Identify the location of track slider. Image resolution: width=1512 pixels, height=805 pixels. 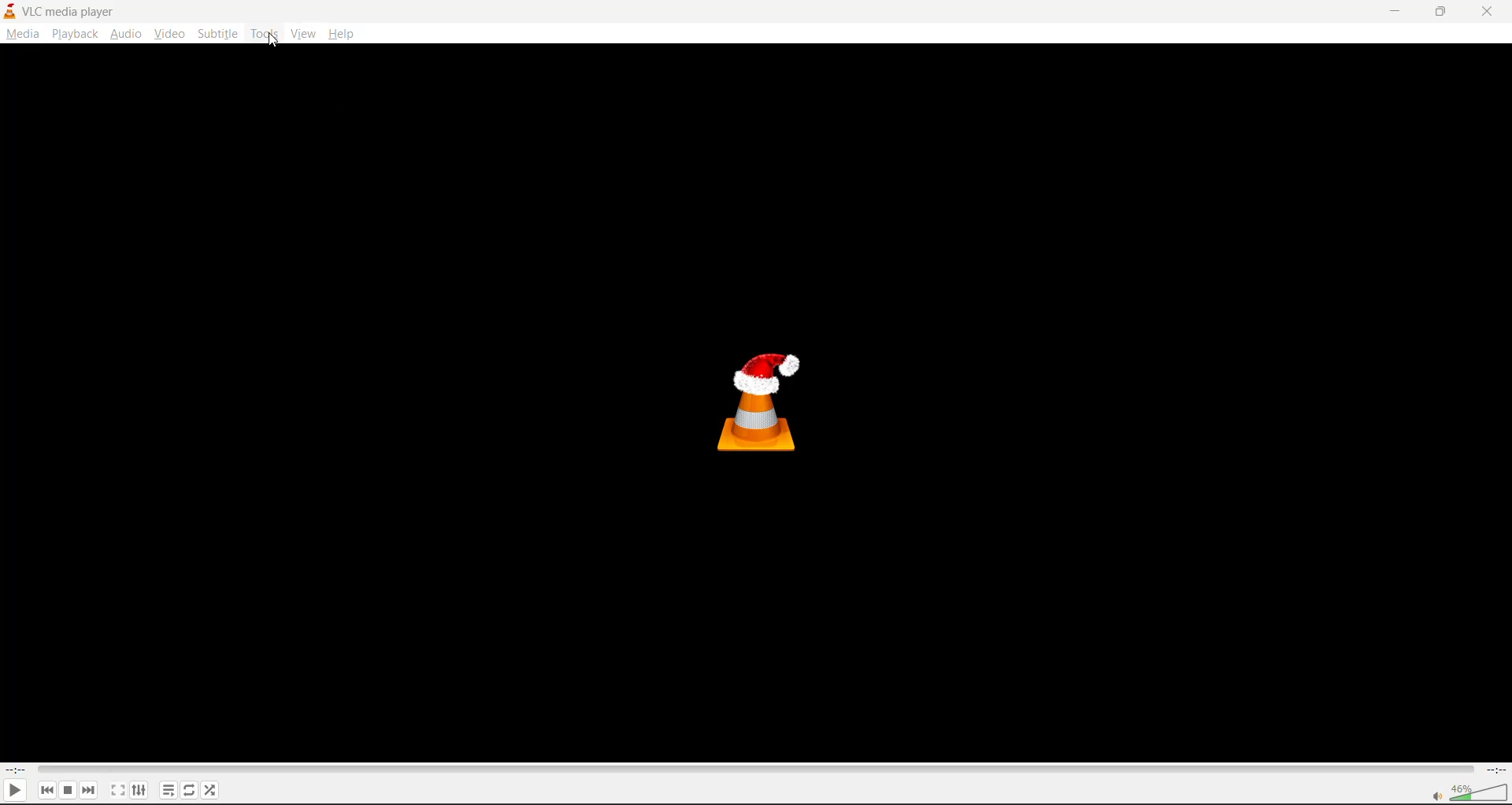
(751, 768).